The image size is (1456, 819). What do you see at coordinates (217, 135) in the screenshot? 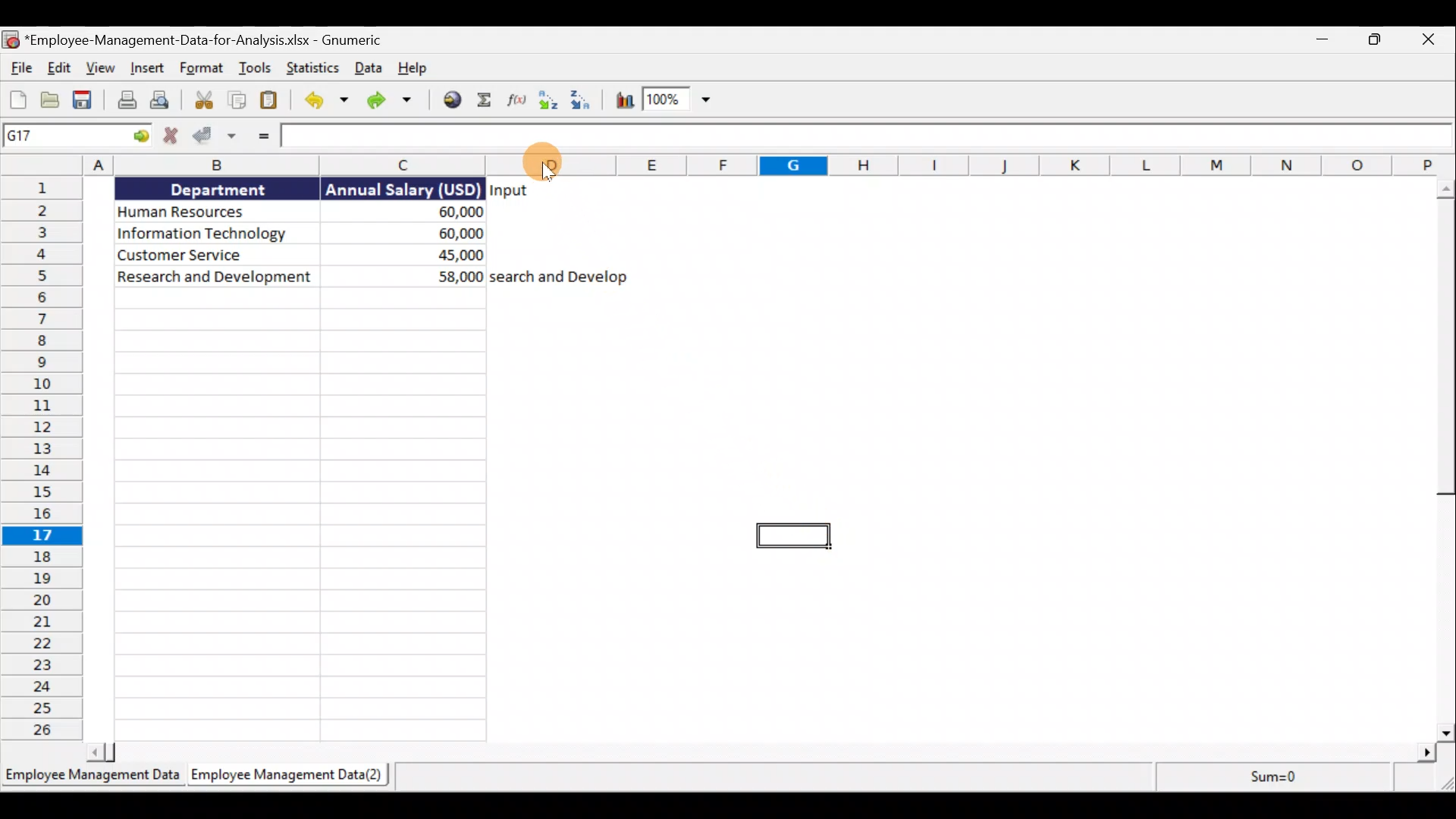
I see `Accept change` at bounding box center [217, 135].